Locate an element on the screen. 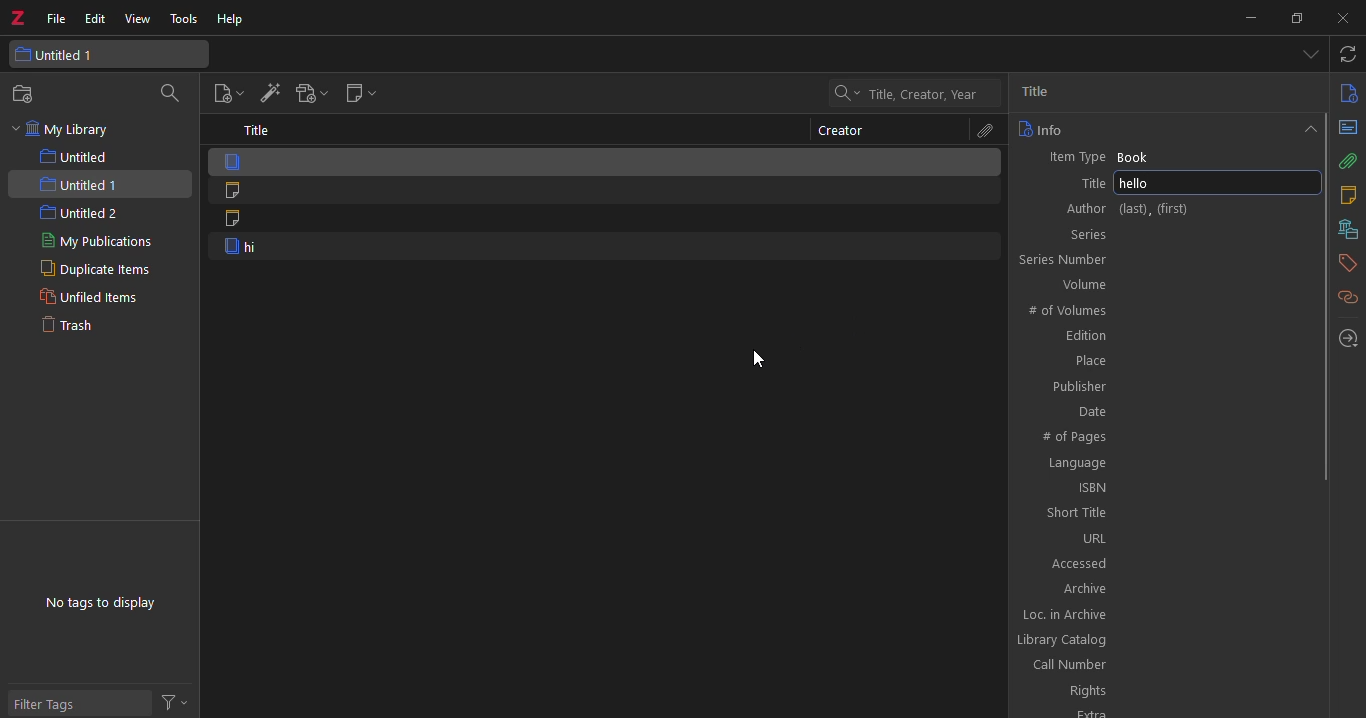  trash is located at coordinates (97, 327).